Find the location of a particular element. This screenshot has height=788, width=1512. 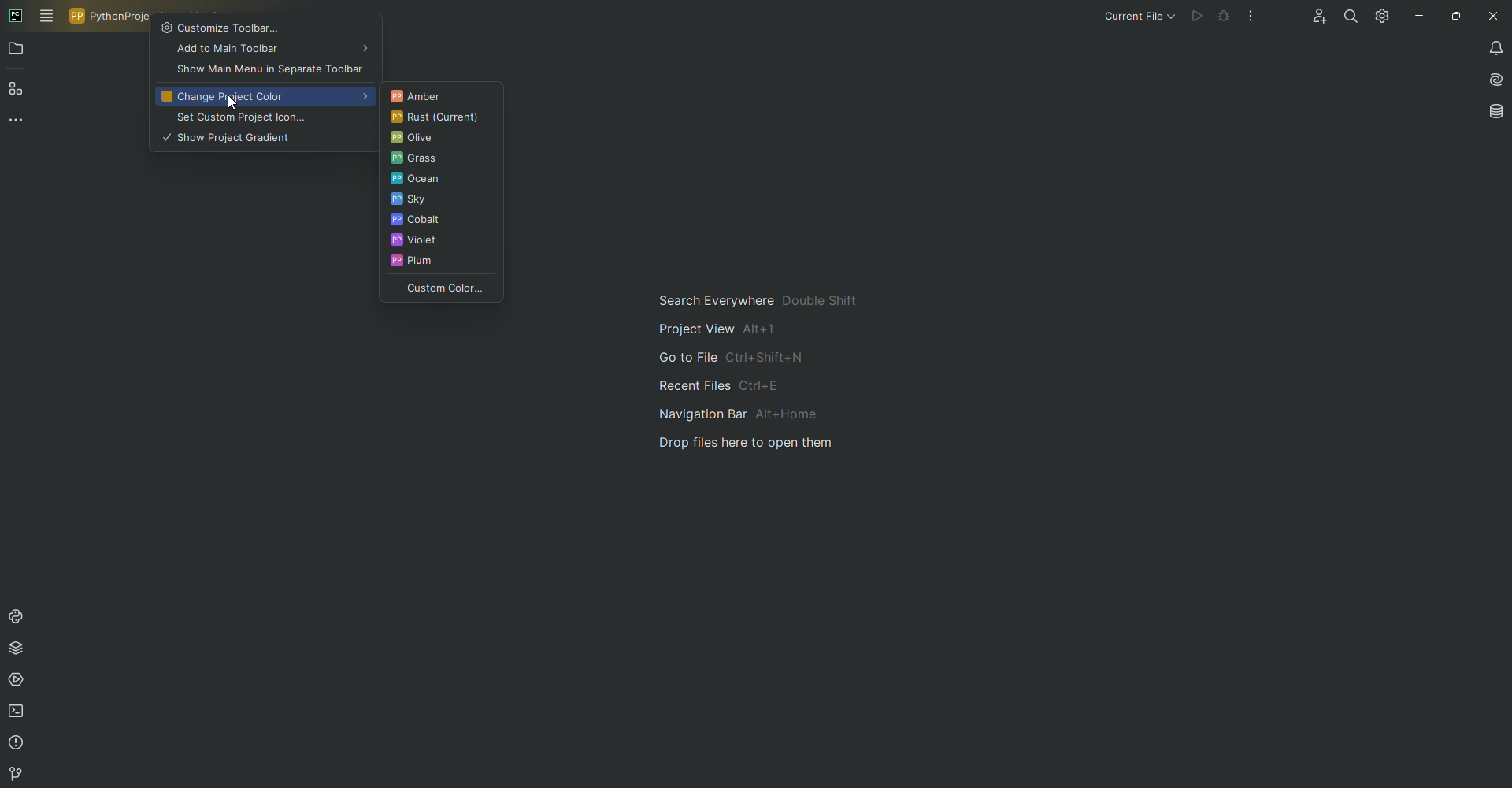

Structure is located at coordinates (18, 91).